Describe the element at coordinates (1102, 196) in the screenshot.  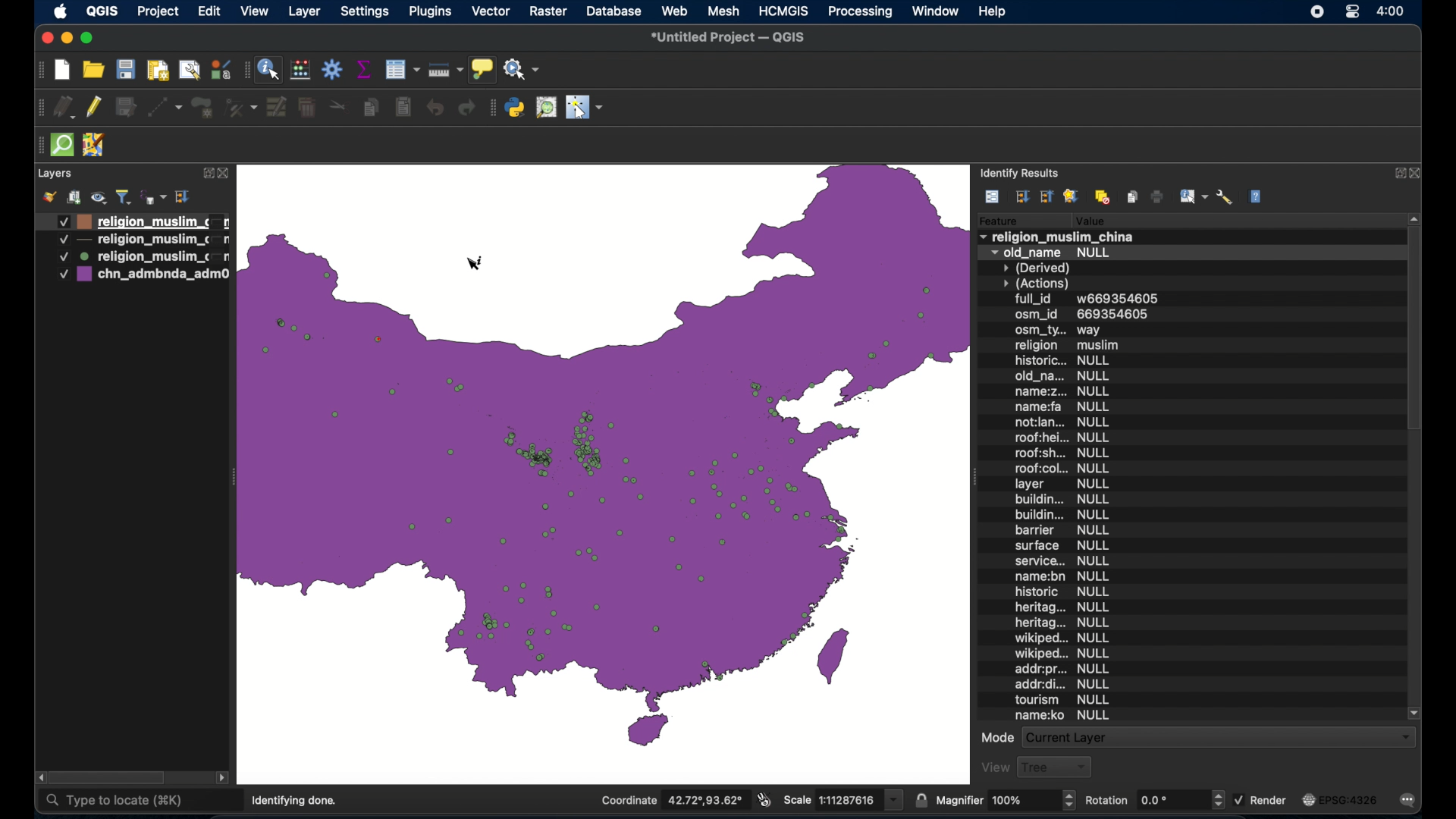
I see `clear` at that location.